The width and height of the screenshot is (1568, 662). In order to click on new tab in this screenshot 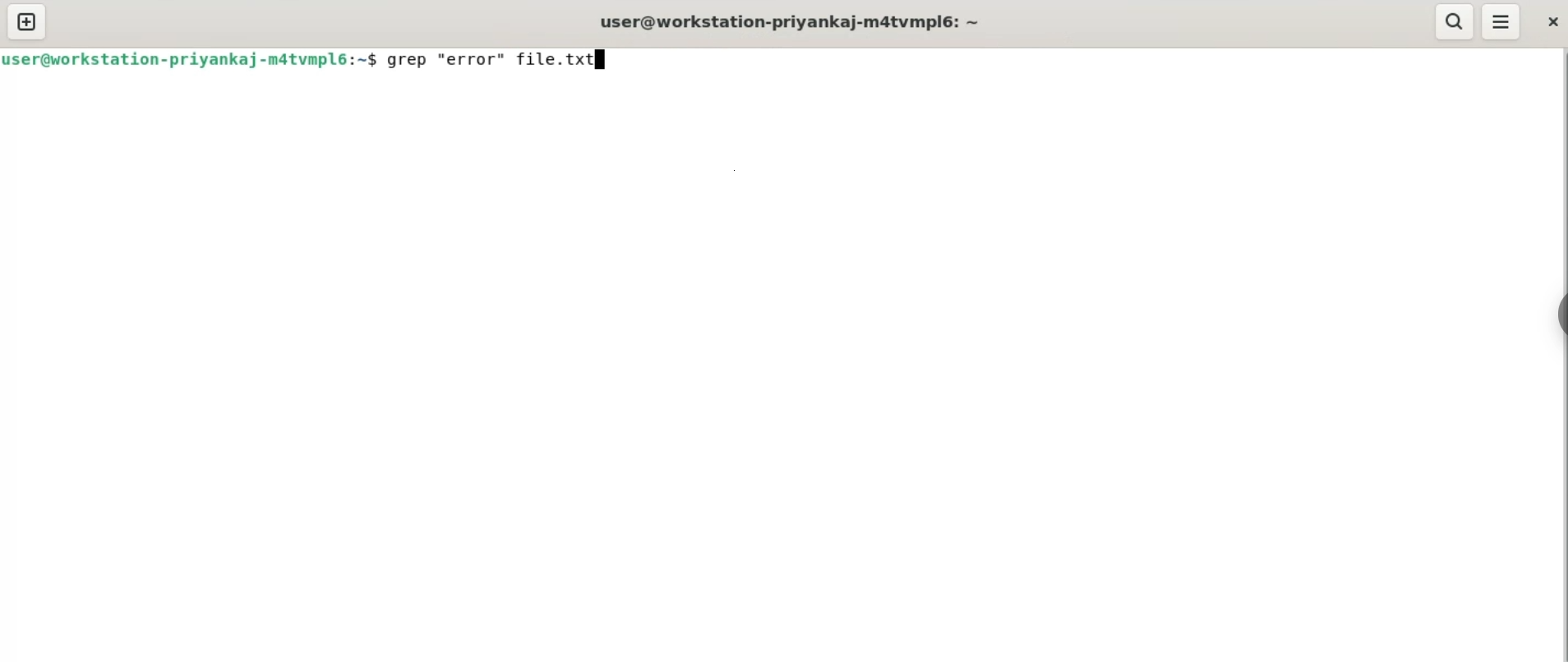, I will do `click(27, 23)`.